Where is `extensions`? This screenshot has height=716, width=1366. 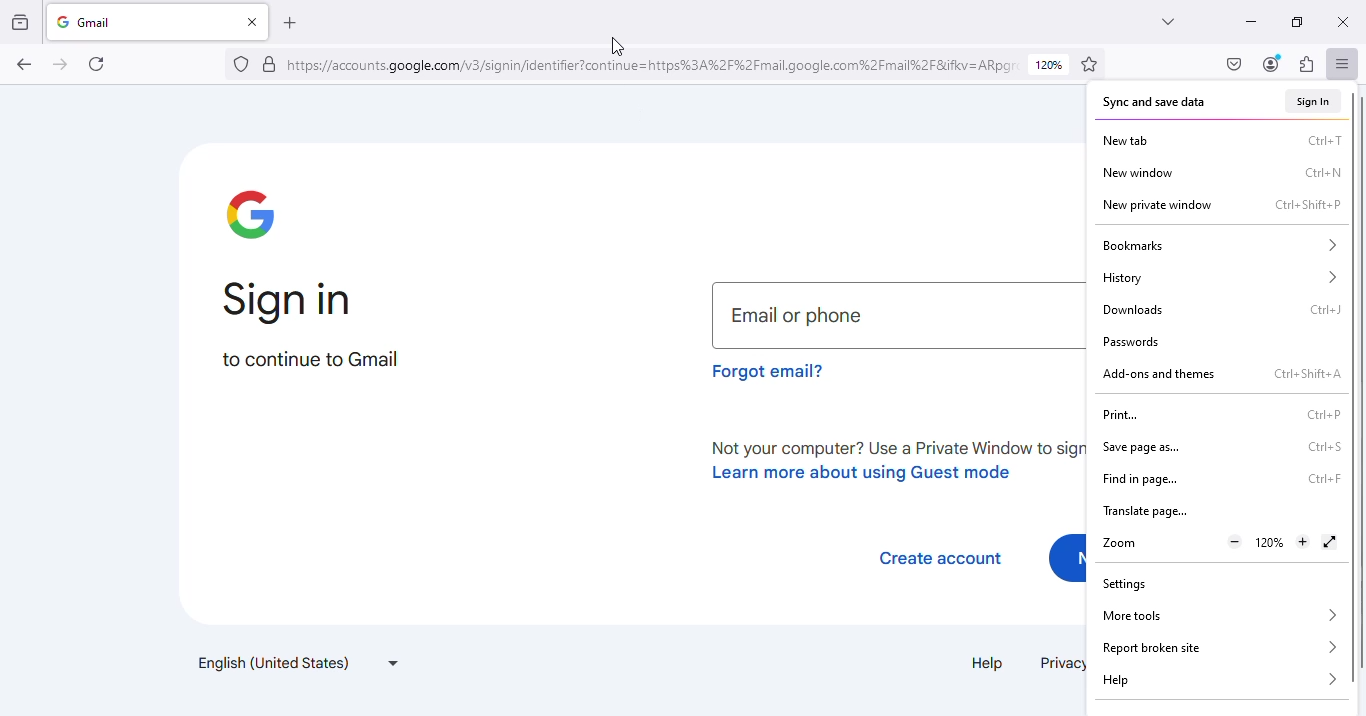 extensions is located at coordinates (1307, 64).